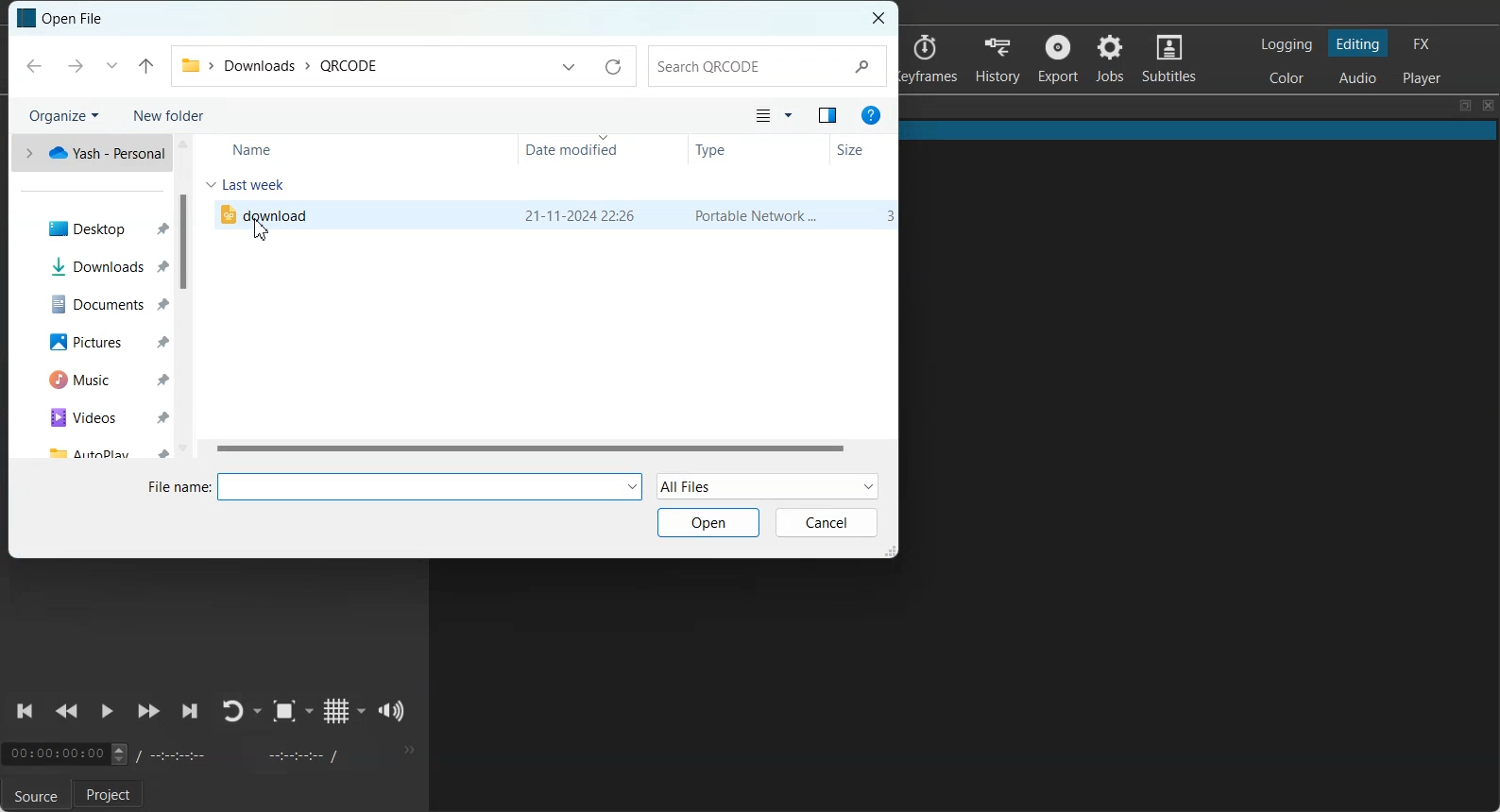 The width and height of the screenshot is (1500, 812). What do you see at coordinates (191, 712) in the screenshot?
I see `Skip to next point` at bounding box center [191, 712].